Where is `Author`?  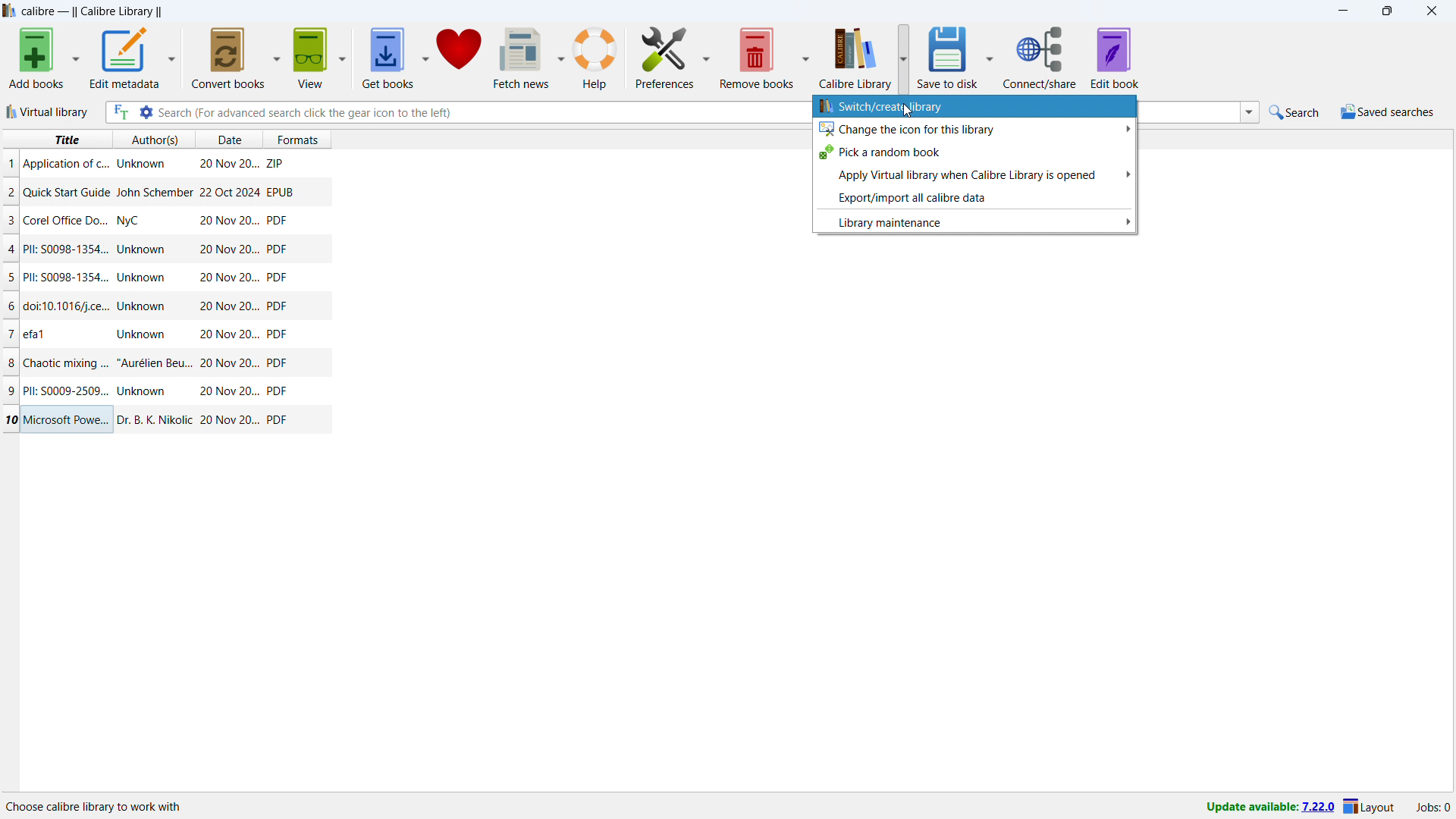
Author is located at coordinates (144, 306).